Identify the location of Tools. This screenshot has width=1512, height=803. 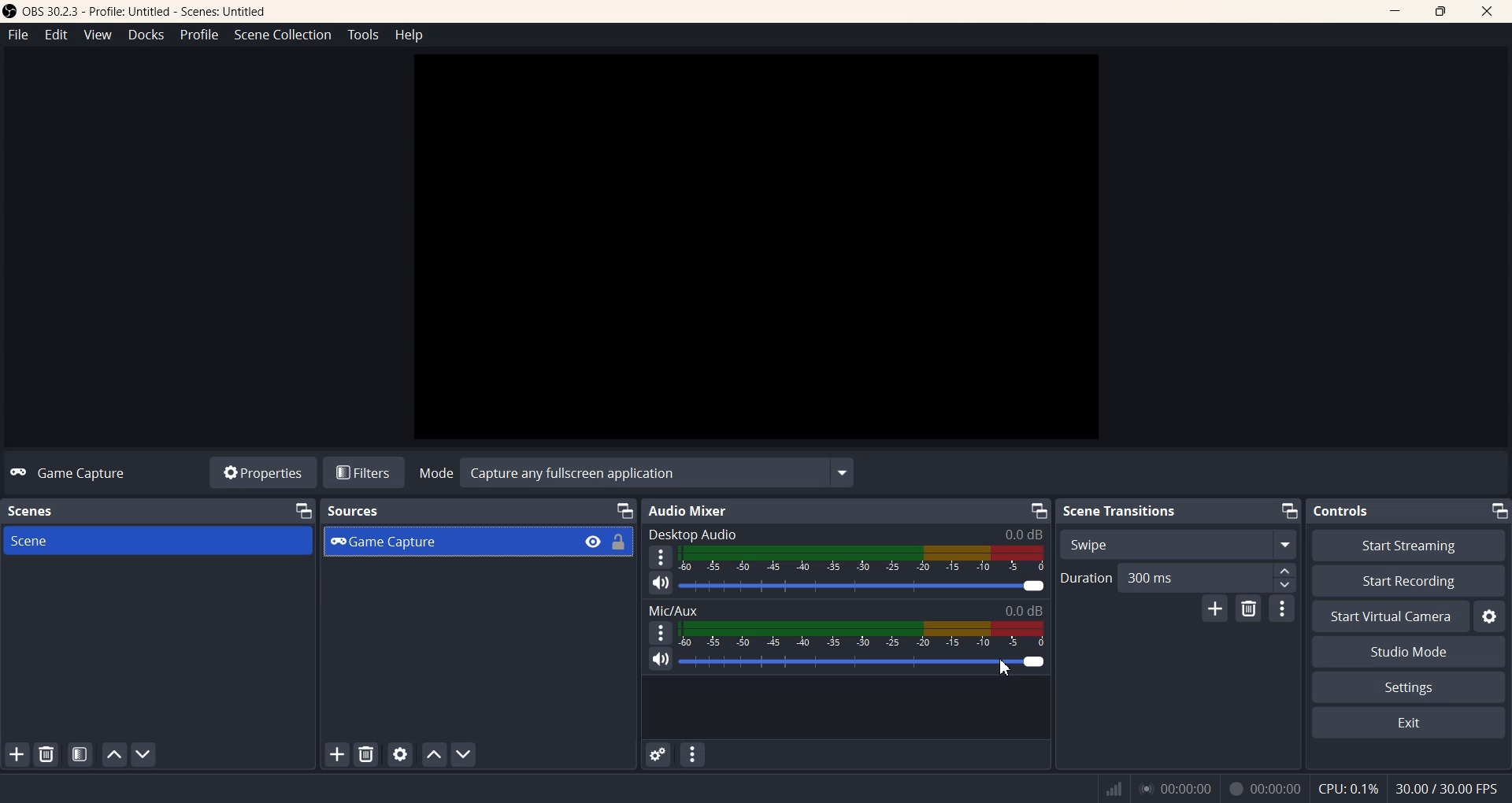
(362, 35).